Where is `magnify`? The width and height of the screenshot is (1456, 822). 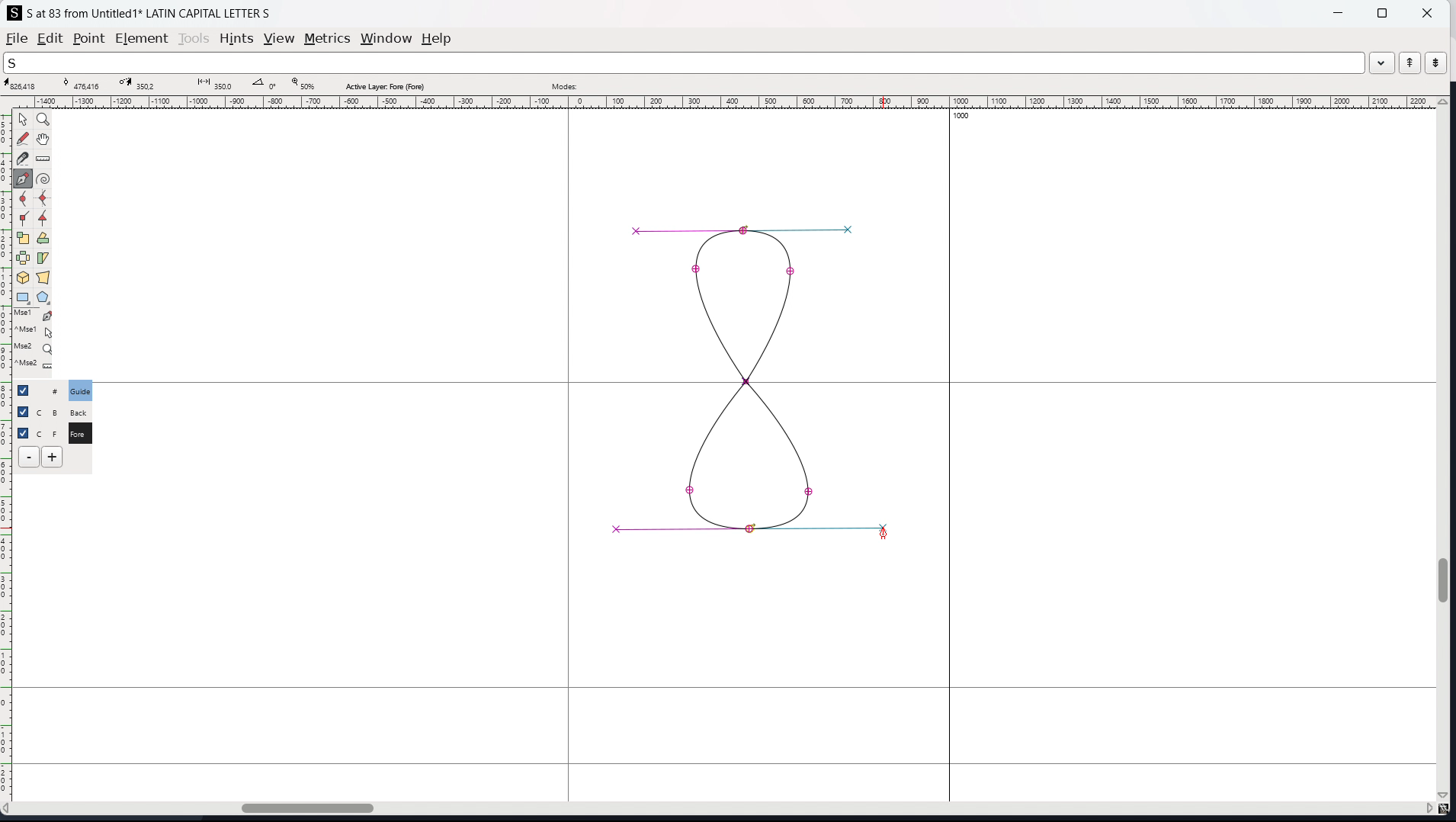 magnify is located at coordinates (44, 120).